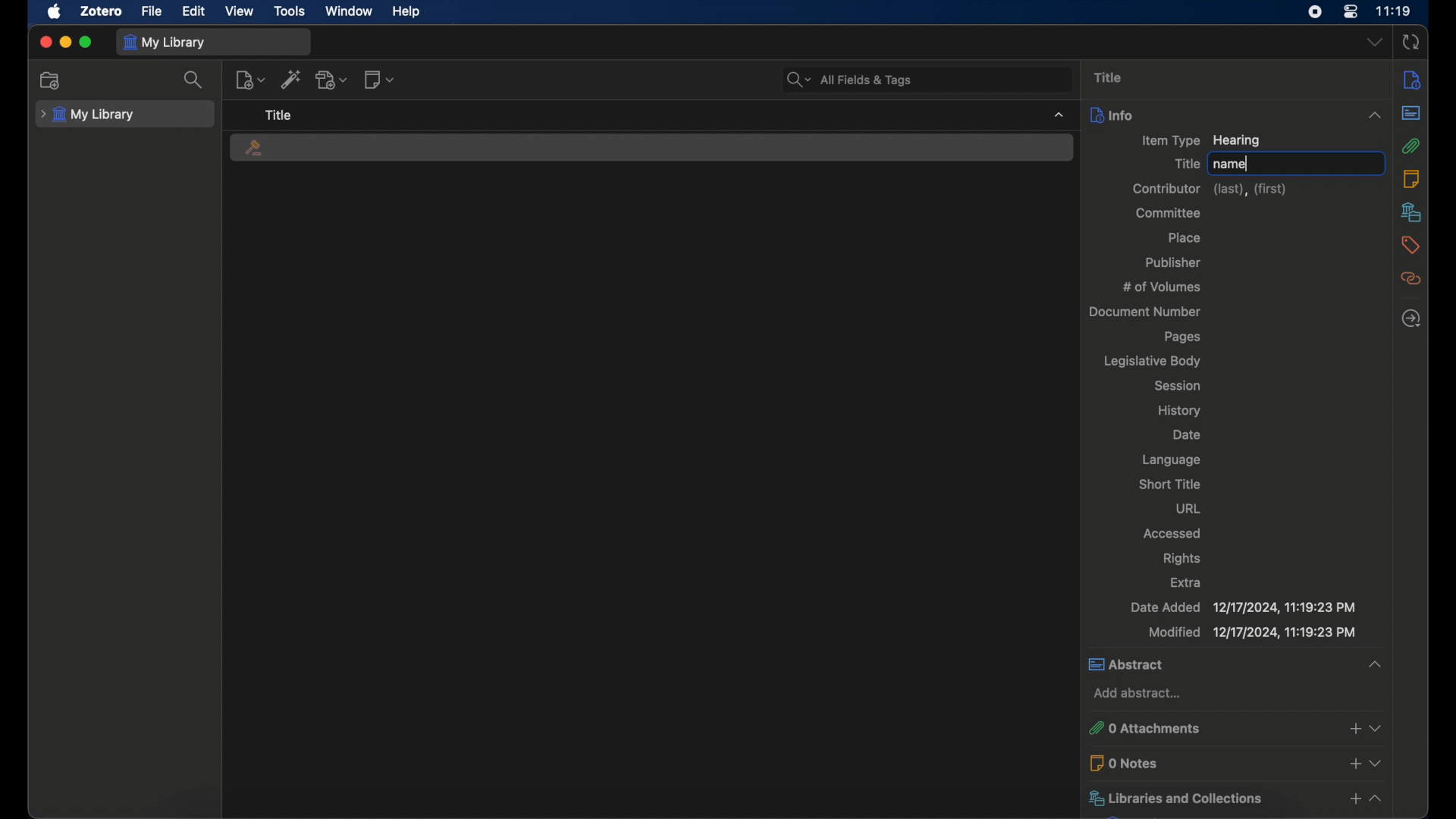  I want to click on time, so click(1392, 11).